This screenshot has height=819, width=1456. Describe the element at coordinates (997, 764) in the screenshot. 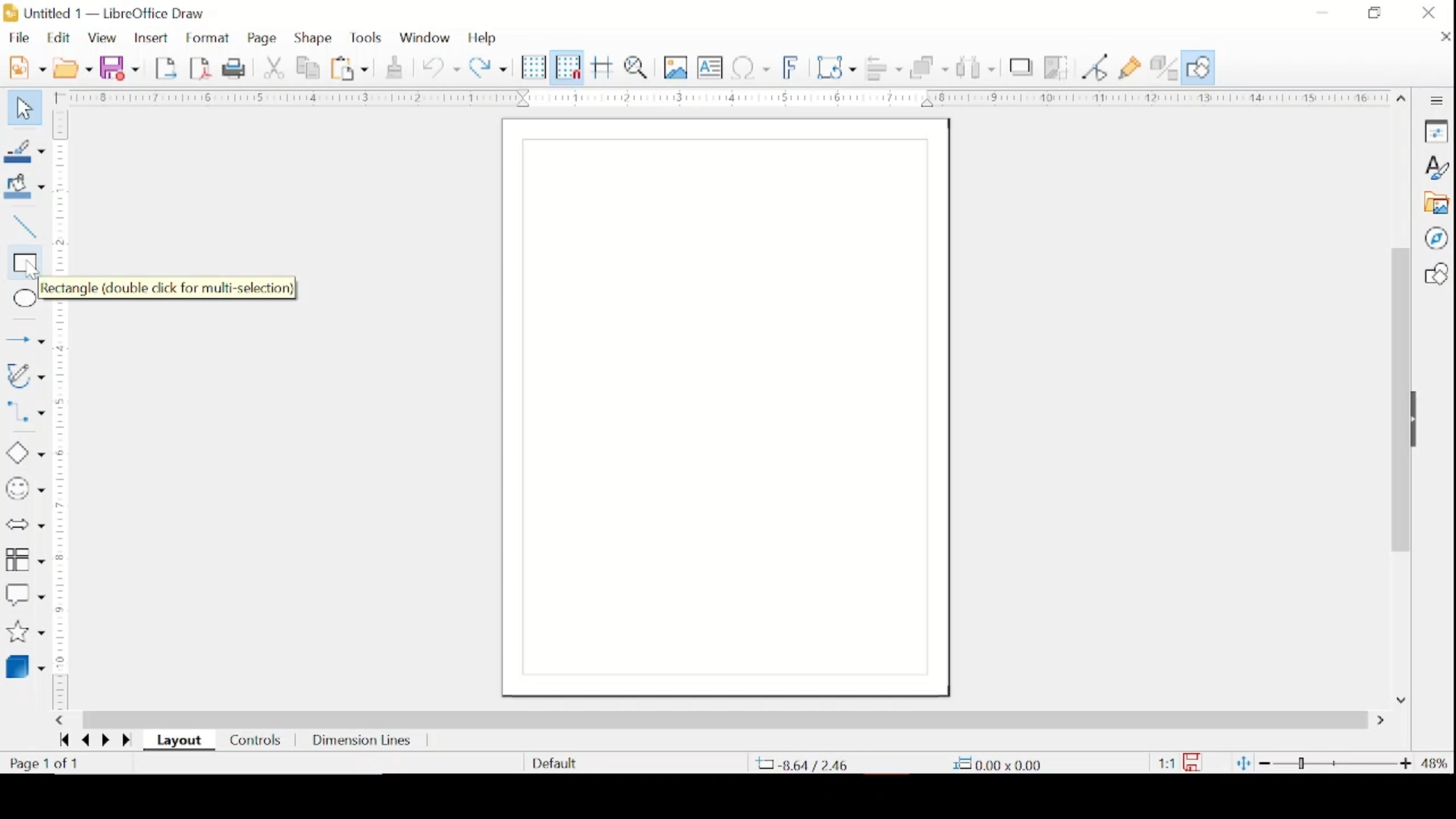

I see `0.00x0.00` at that location.